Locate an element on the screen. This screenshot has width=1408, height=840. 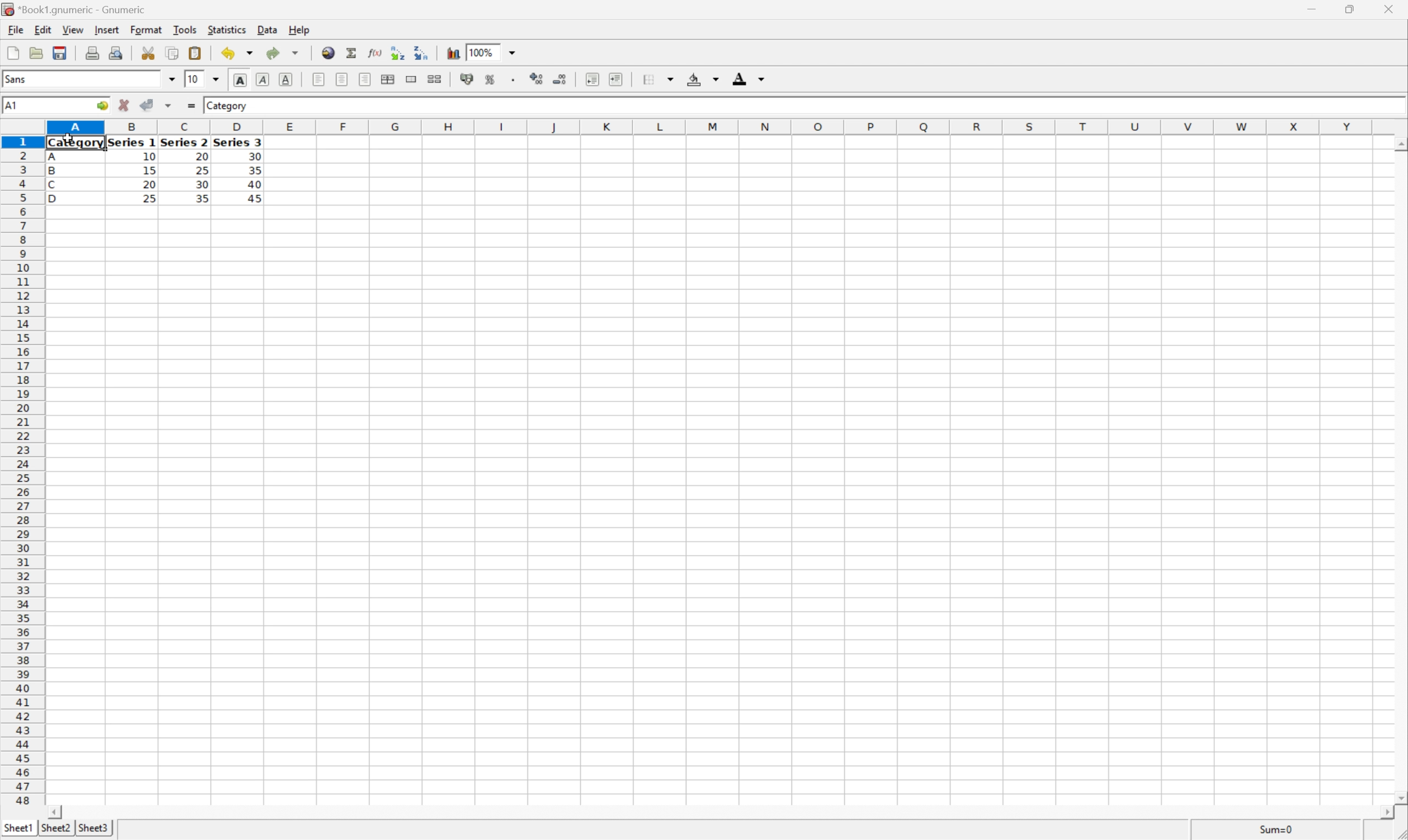
25 is located at coordinates (149, 199).